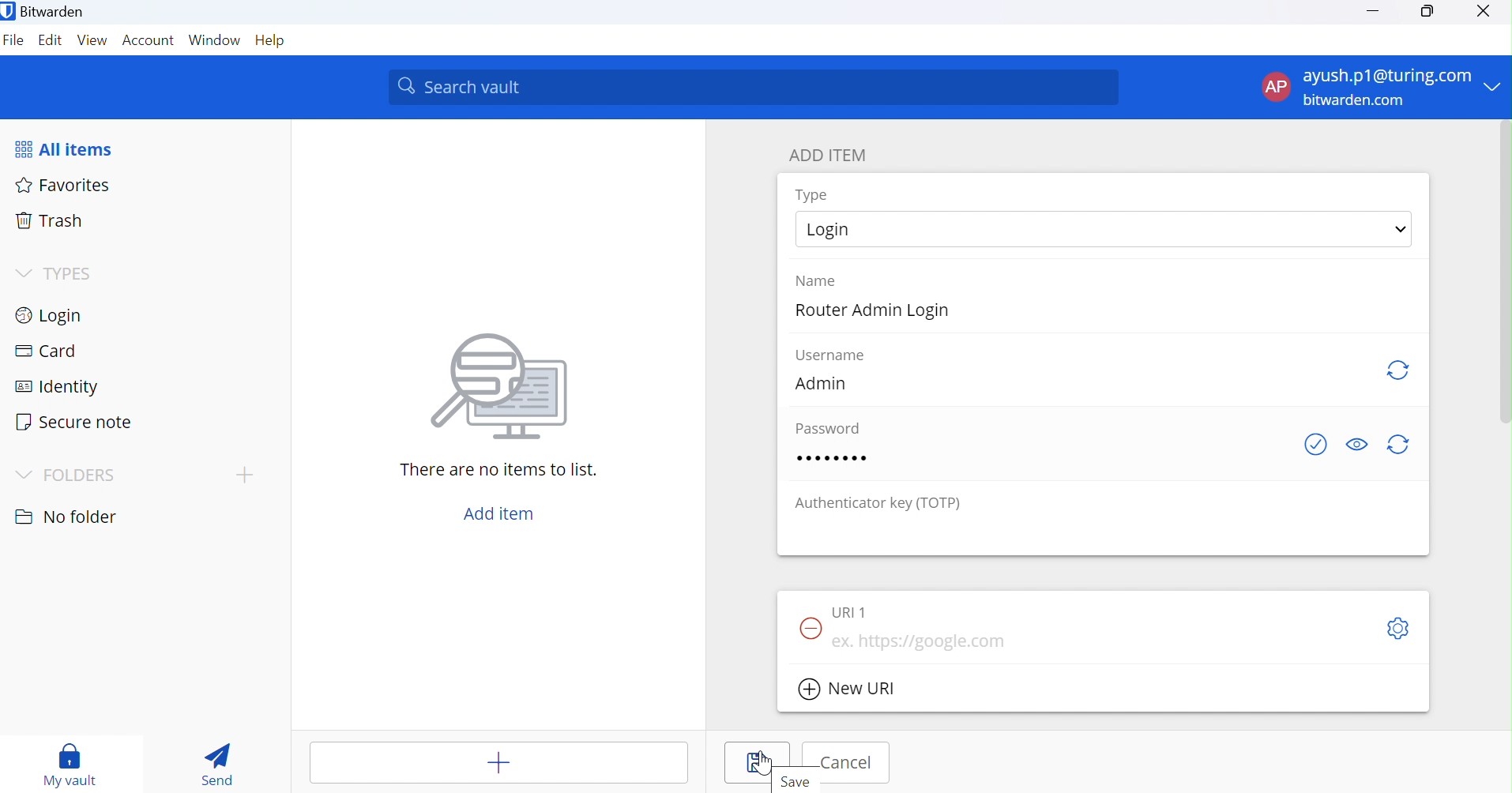 Image resolution: width=1512 pixels, height=793 pixels. I want to click on vertical scrollbar, so click(1506, 273).